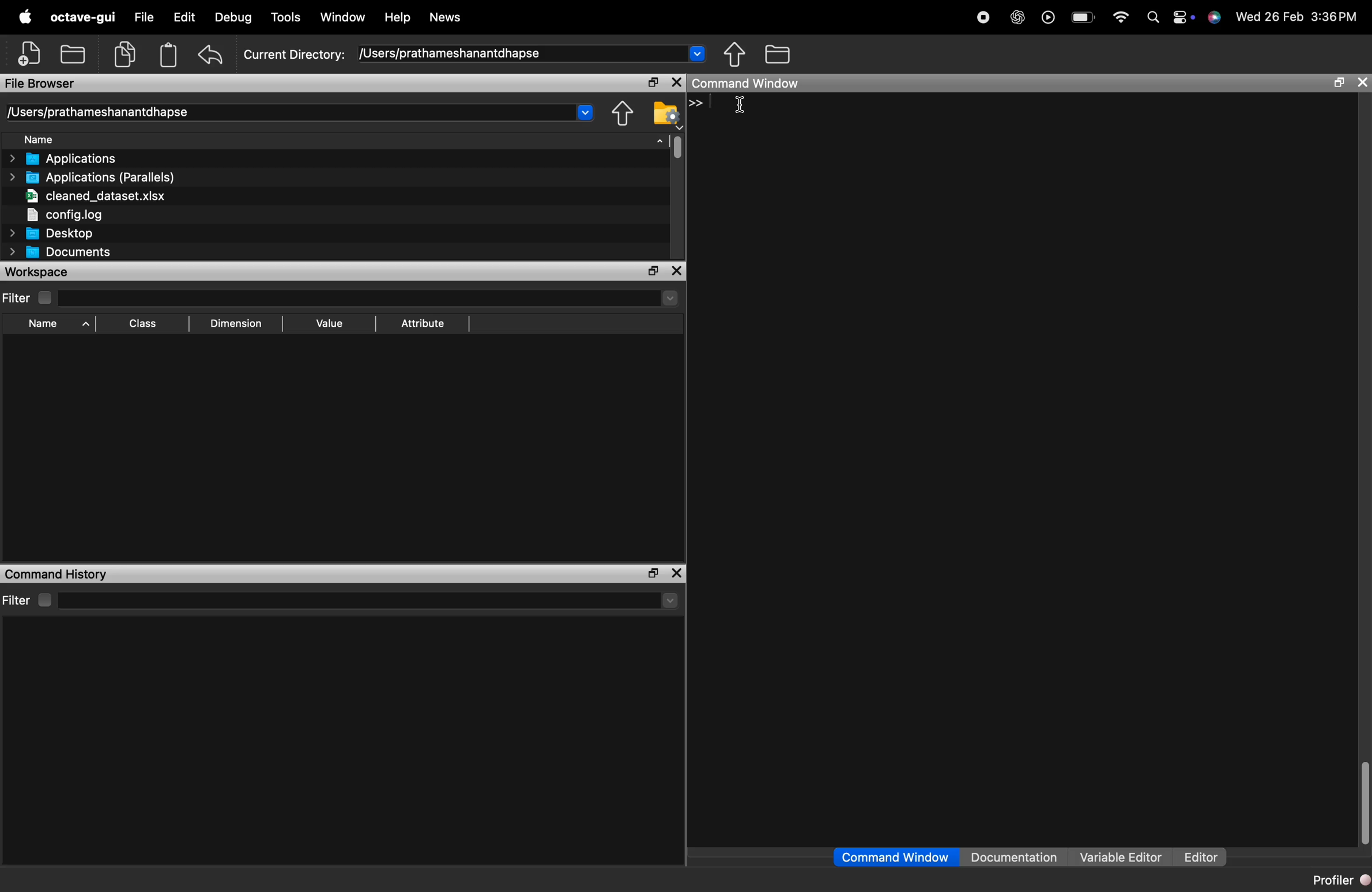 The image size is (1372, 892). Describe the element at coordinates (169, 55) in the screenshot. I see `paste` at that location.